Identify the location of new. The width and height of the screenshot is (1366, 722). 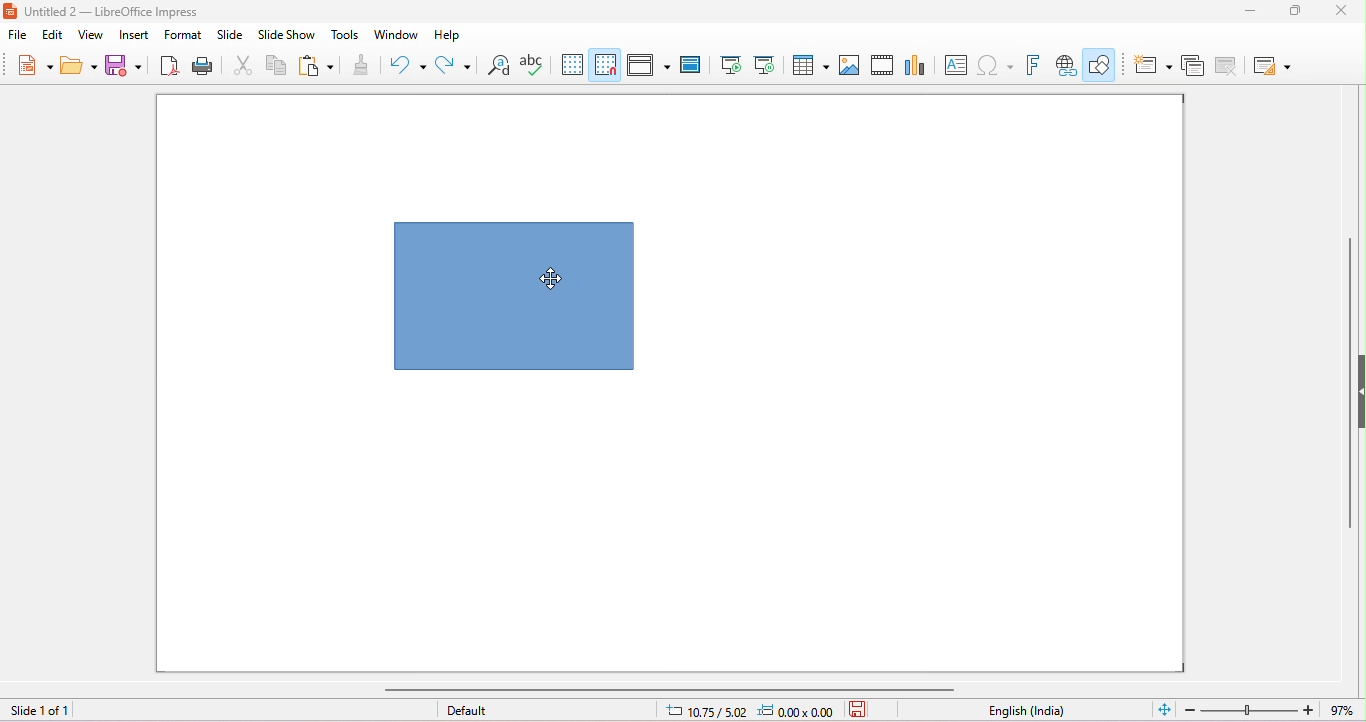
(35, 64).